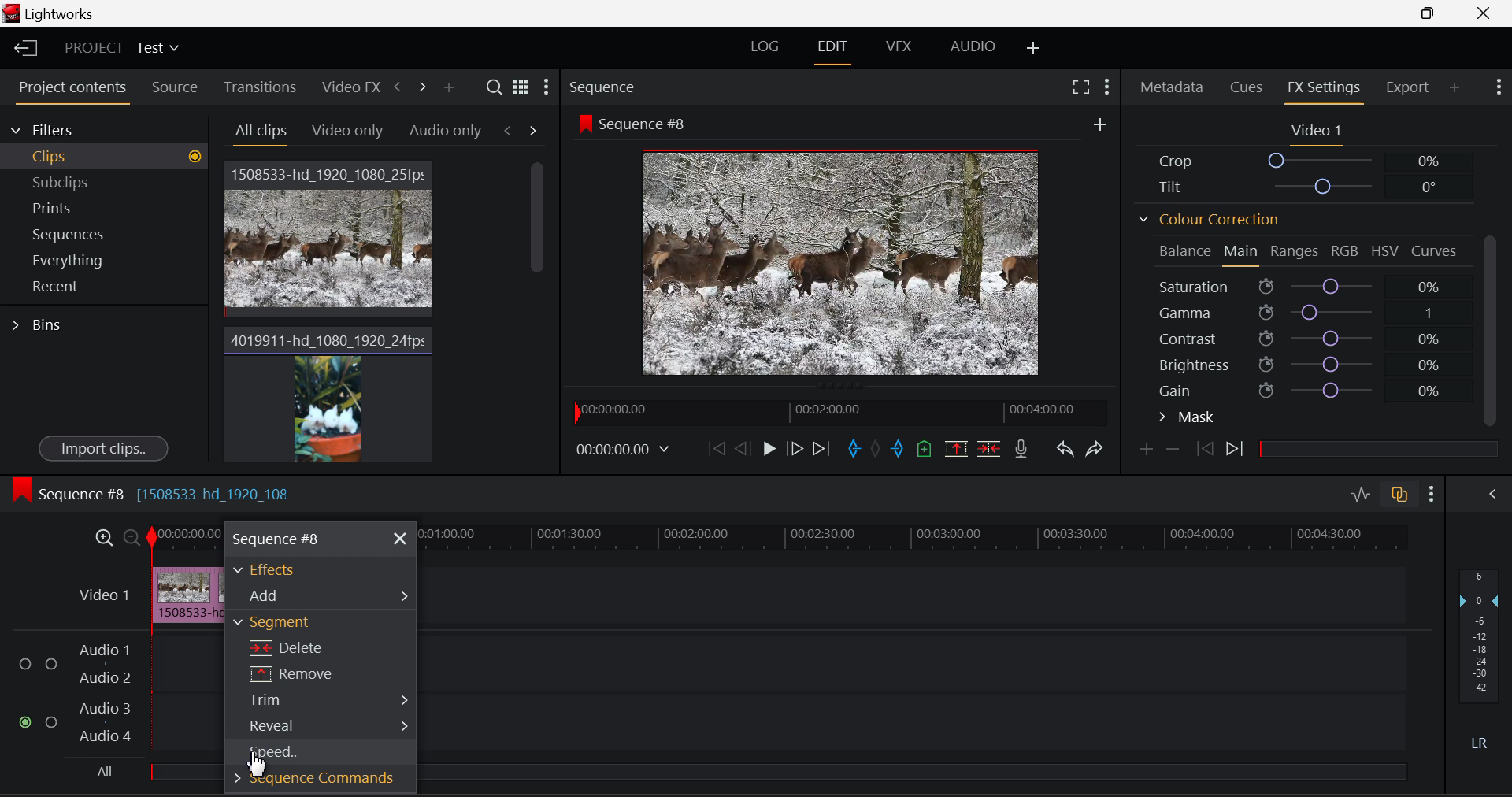  I want to click on Video Timeline, so click(98, 597).